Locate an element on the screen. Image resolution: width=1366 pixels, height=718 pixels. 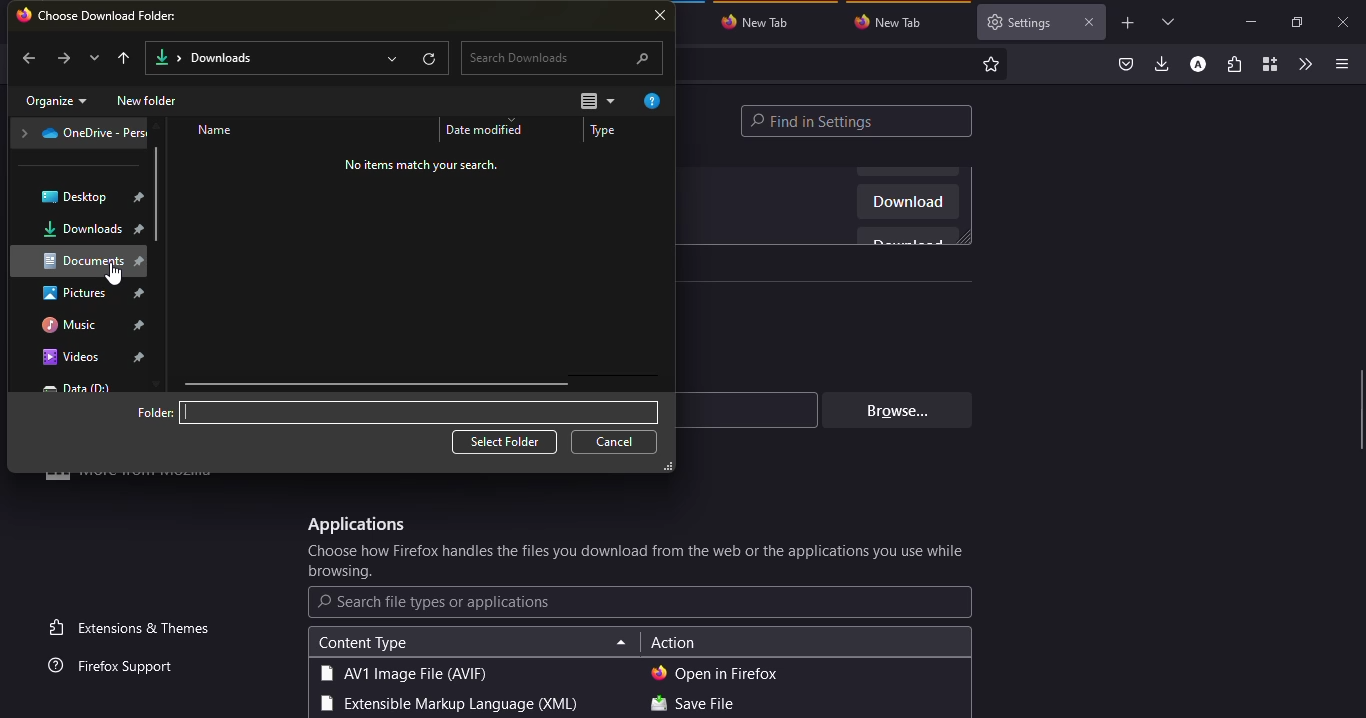
apps is located at coordinates (354, 525).